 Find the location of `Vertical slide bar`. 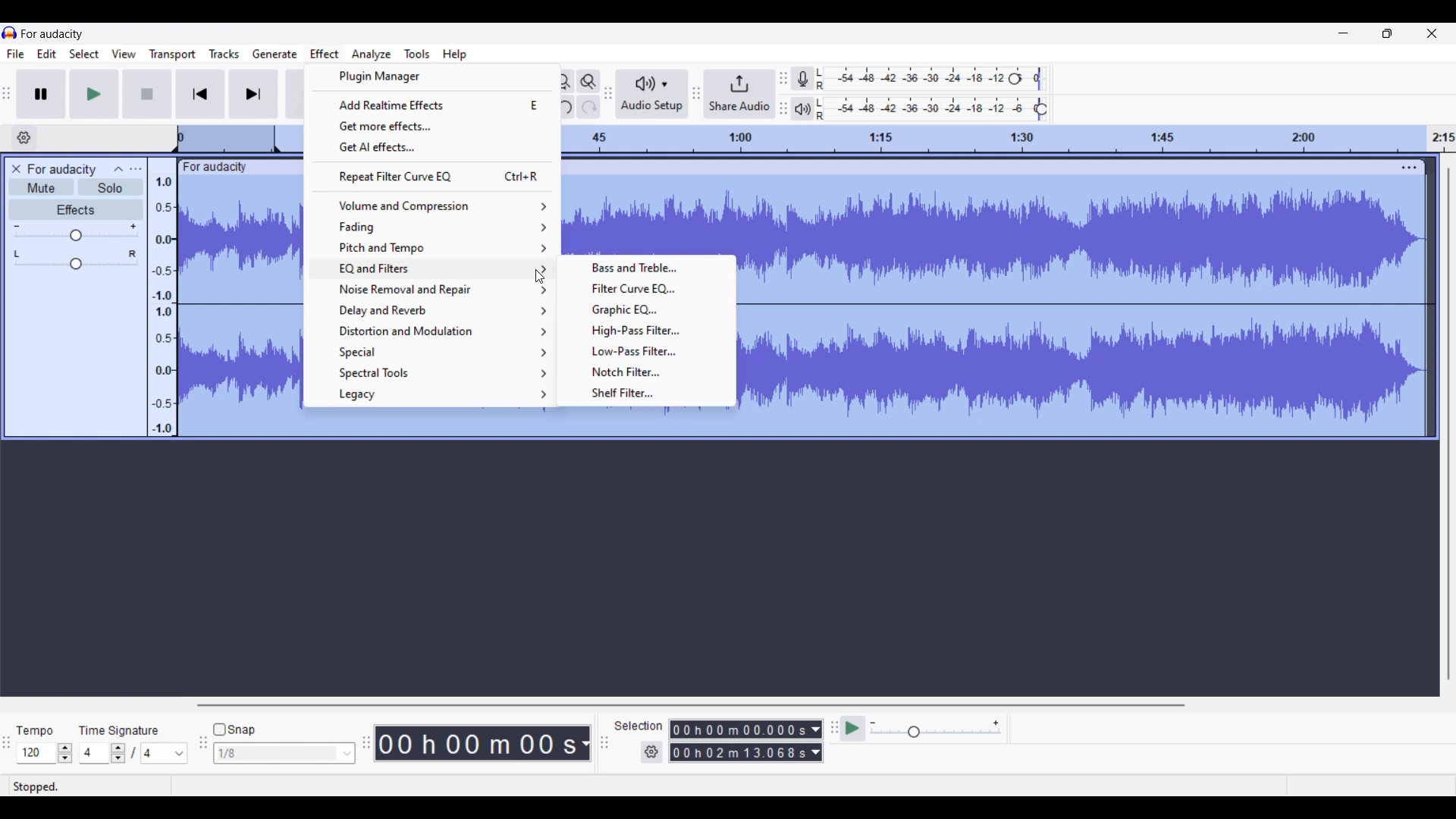

Vertical slide bar is located at coordinates (1448, 423).